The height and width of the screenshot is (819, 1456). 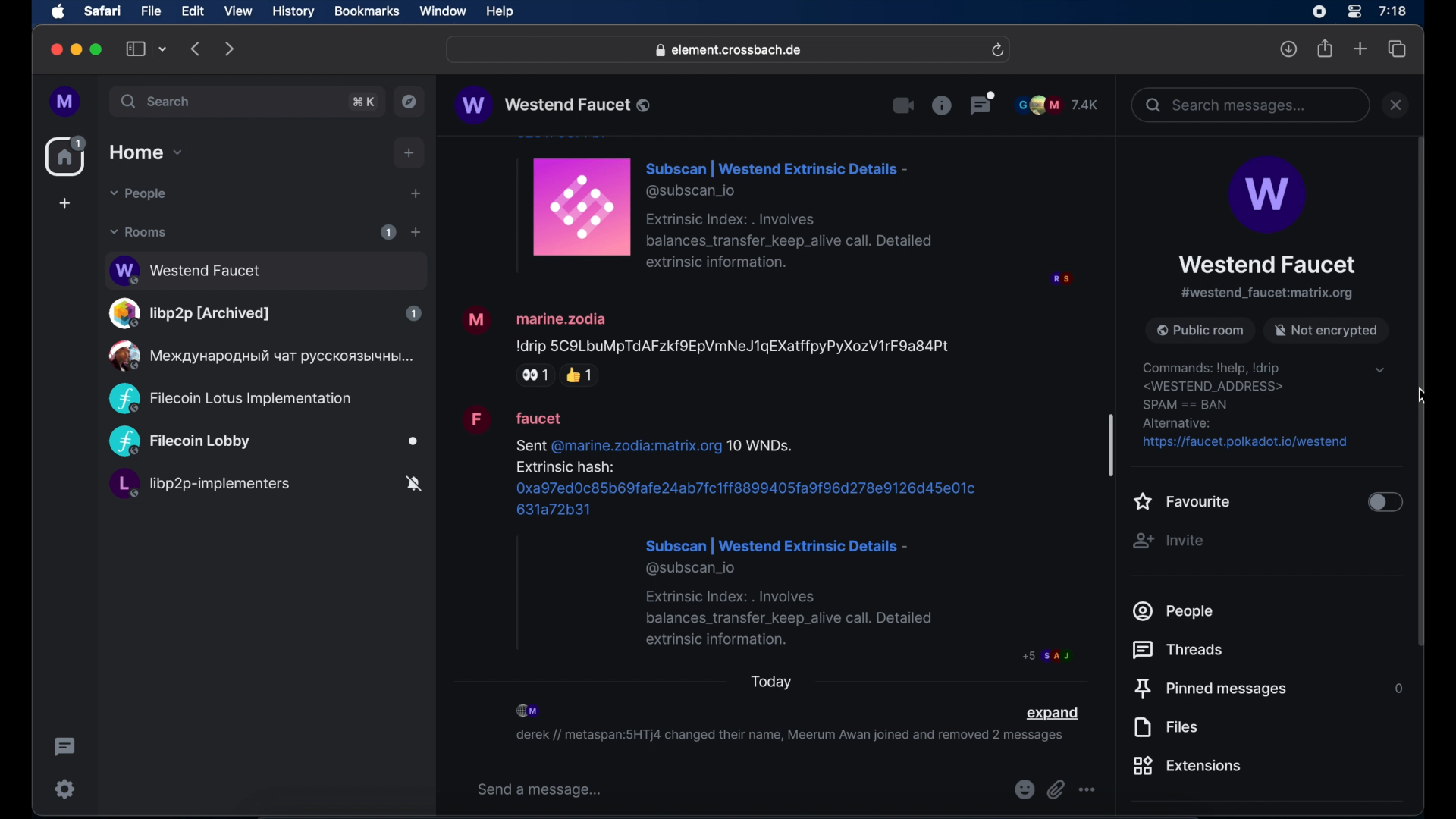 What do you see at coordinates (766, 535) in the screenshot?
I see `message` at bounding box center [766, 535].